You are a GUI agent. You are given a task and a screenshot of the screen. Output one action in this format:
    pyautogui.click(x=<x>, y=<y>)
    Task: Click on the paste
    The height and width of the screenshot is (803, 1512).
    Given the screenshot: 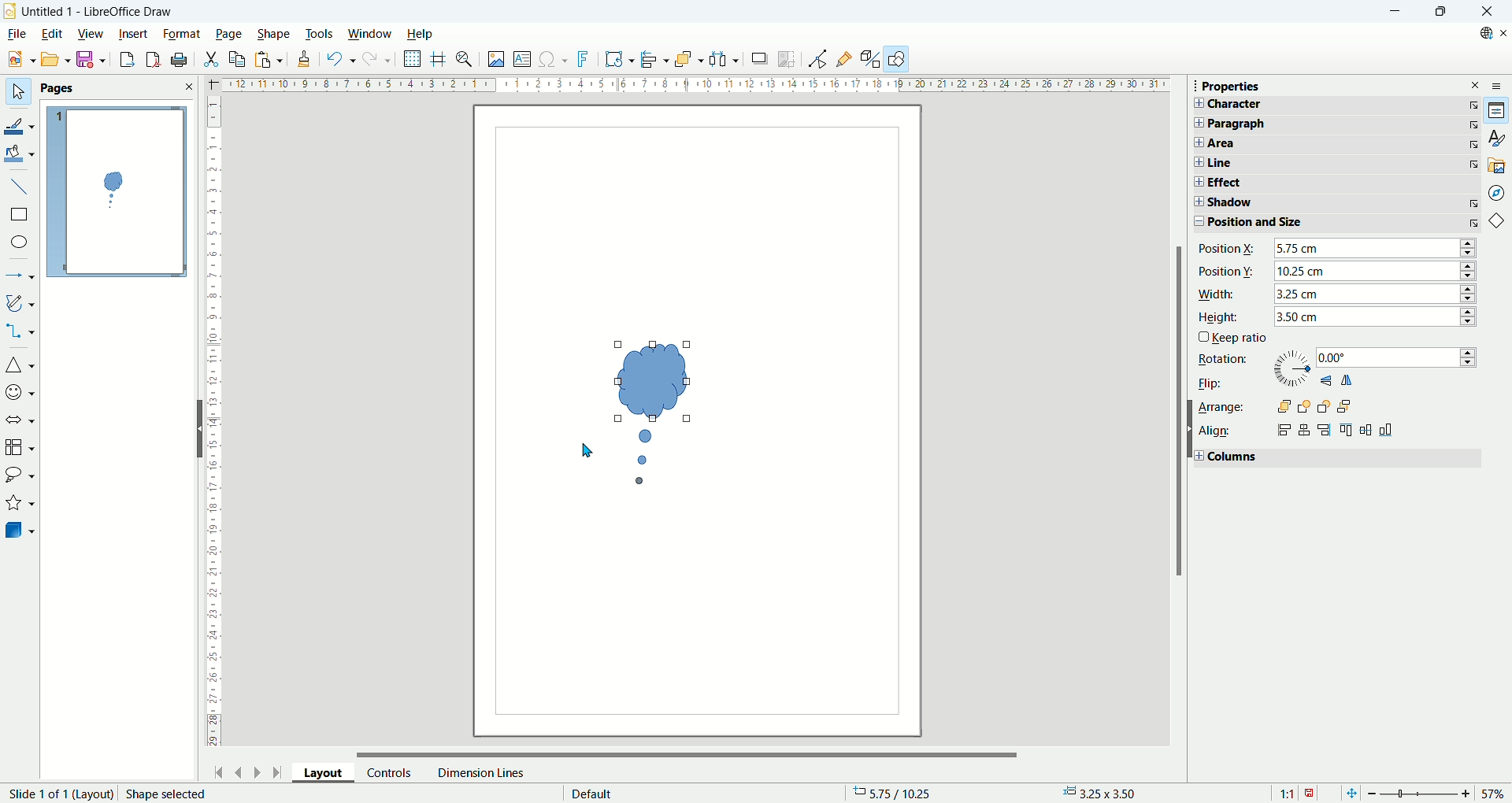 What is the action you would take?
    pyautogui.click(x=268, y=59)
    